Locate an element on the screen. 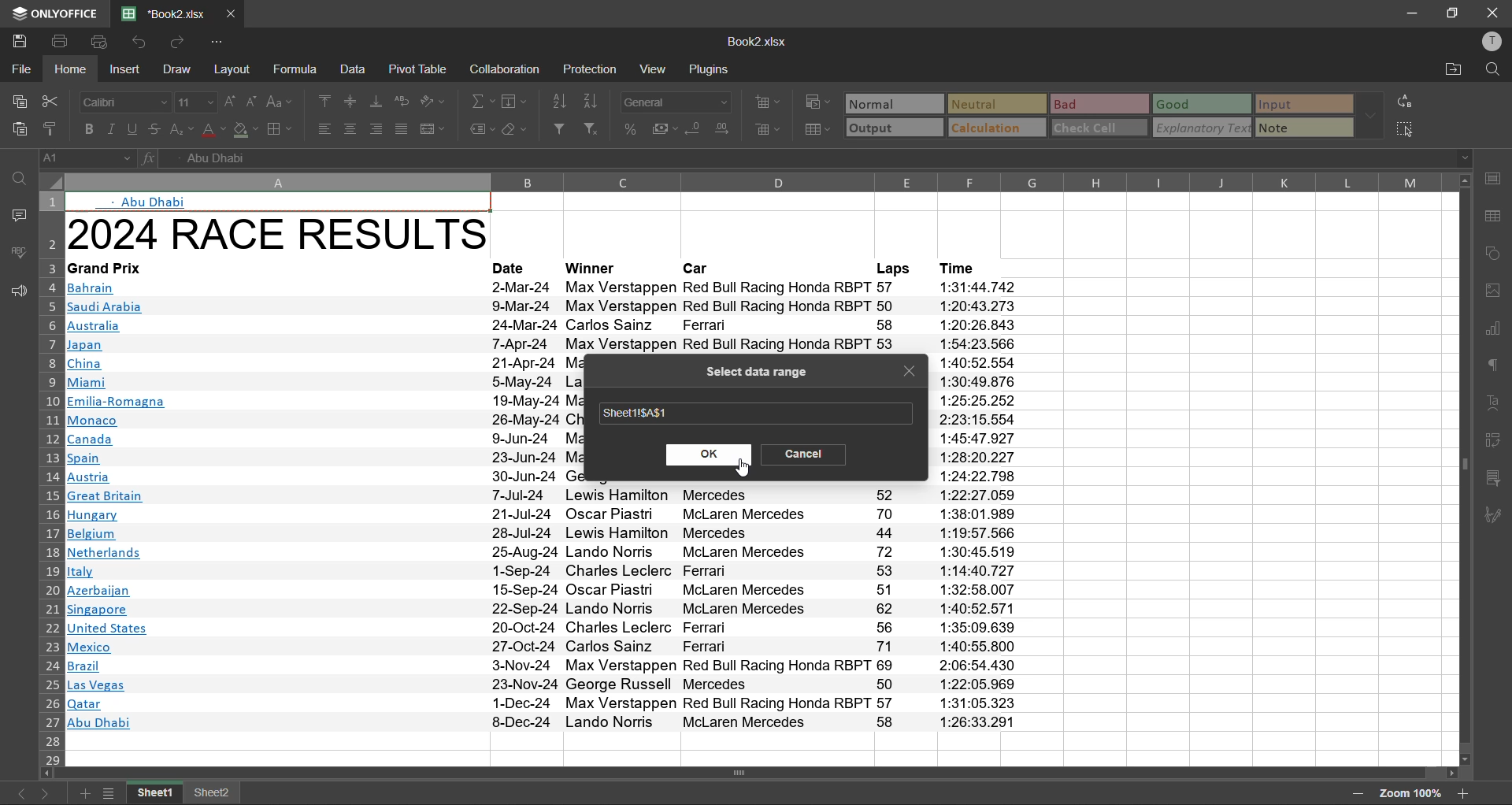 Image resolution: width=1512 pixels, height=805 pixels. file name is located at coordinates (170, 14).